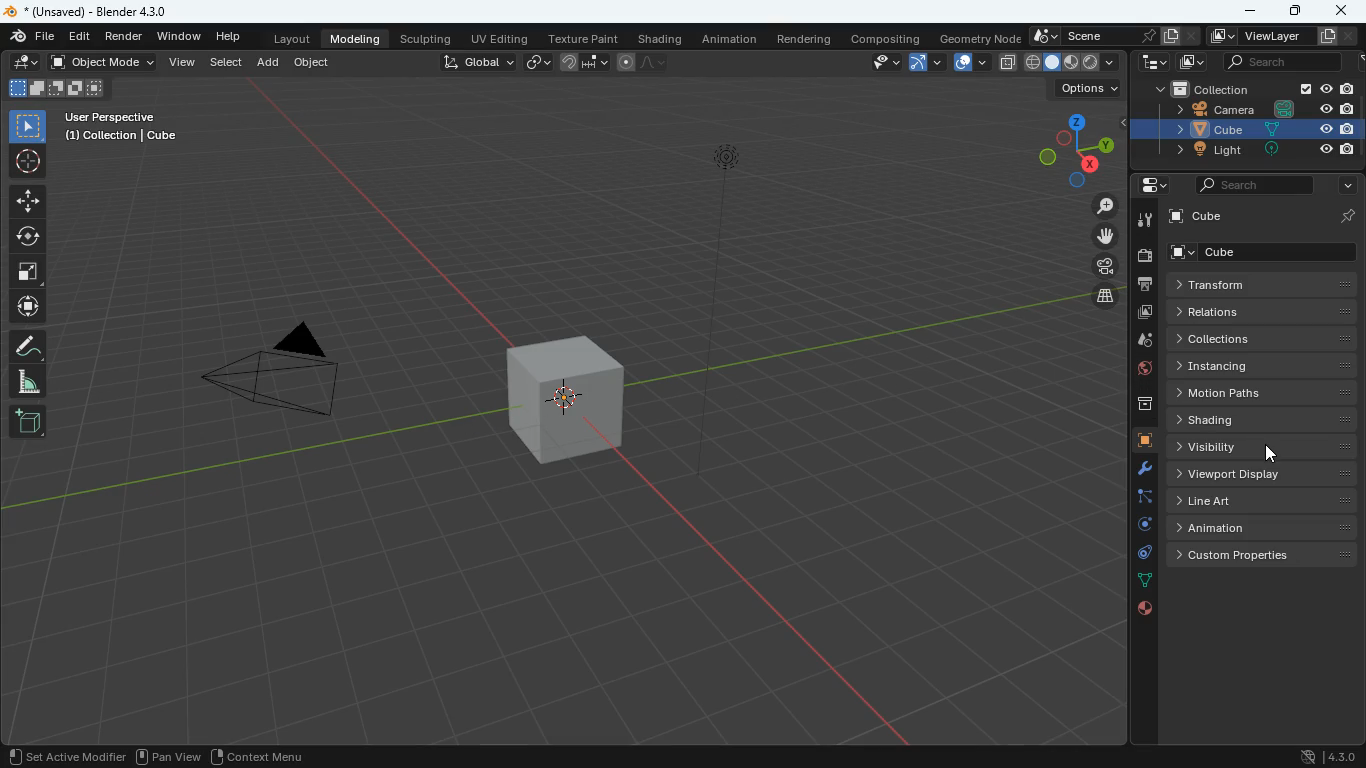 This screenshot has height=768, width=1366. I want to click on cube, so click(1266, 253).